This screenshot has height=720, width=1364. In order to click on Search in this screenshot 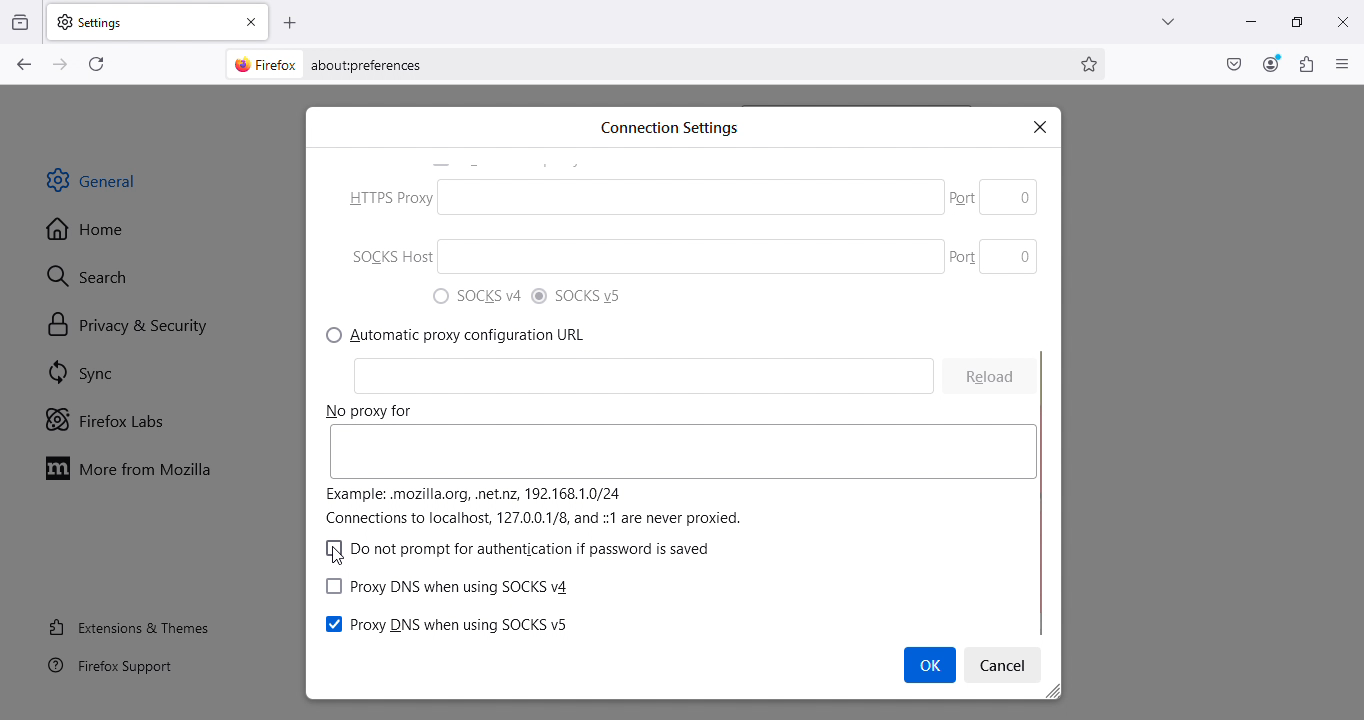, I will do `click(99, 273)`.